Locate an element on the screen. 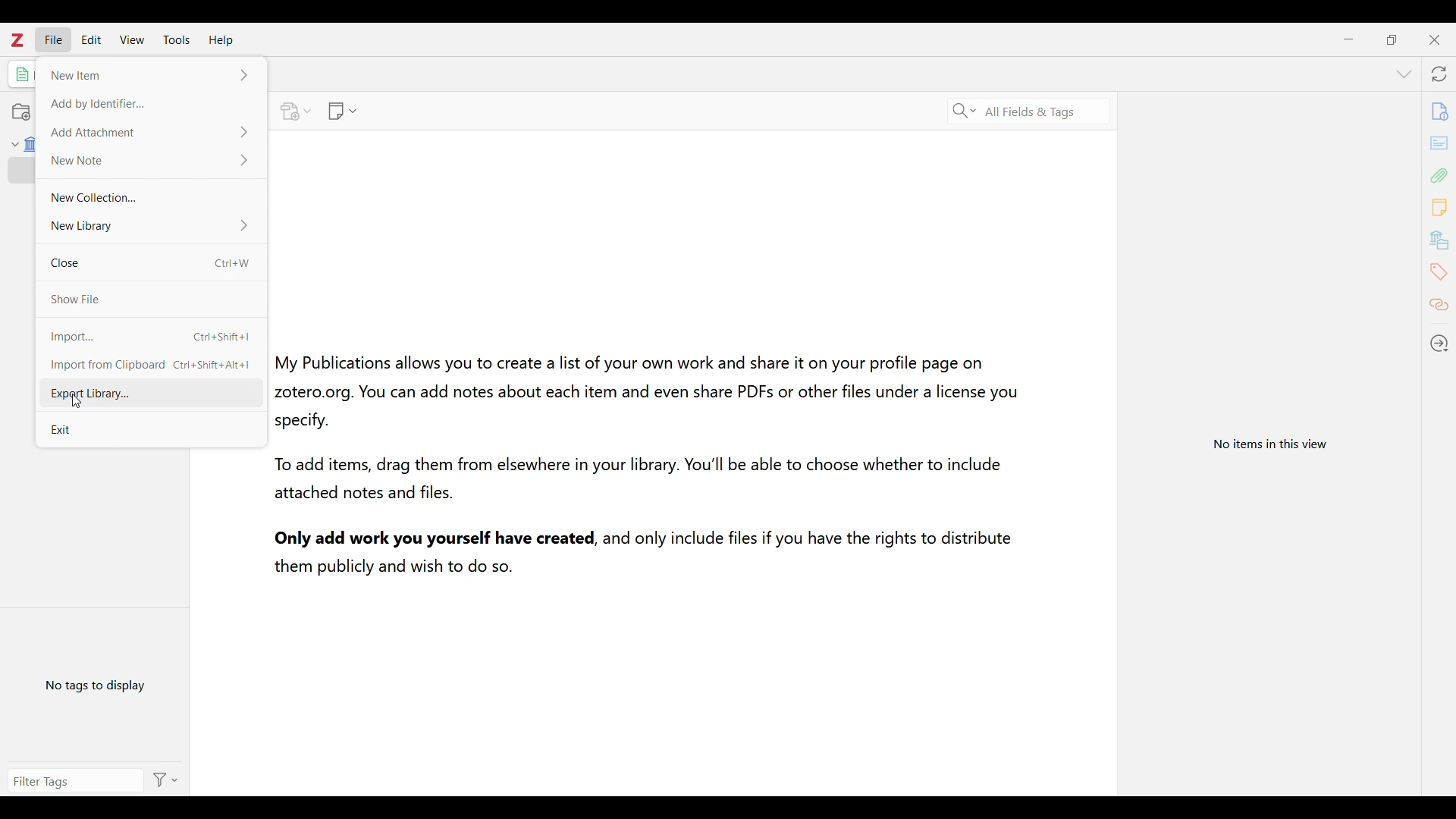 This screenshot has width=1456, height=819. Options to add attachment  is located at coordinates (297, 111).